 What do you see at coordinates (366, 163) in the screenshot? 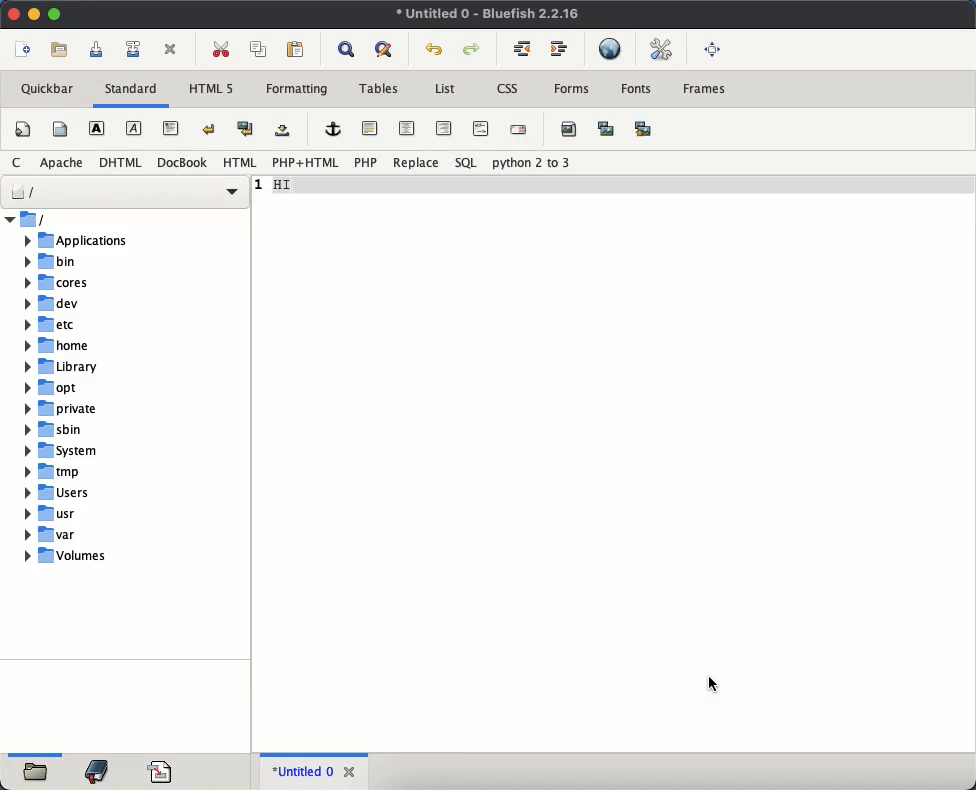
I see `php` at bounding box center [366, 163].